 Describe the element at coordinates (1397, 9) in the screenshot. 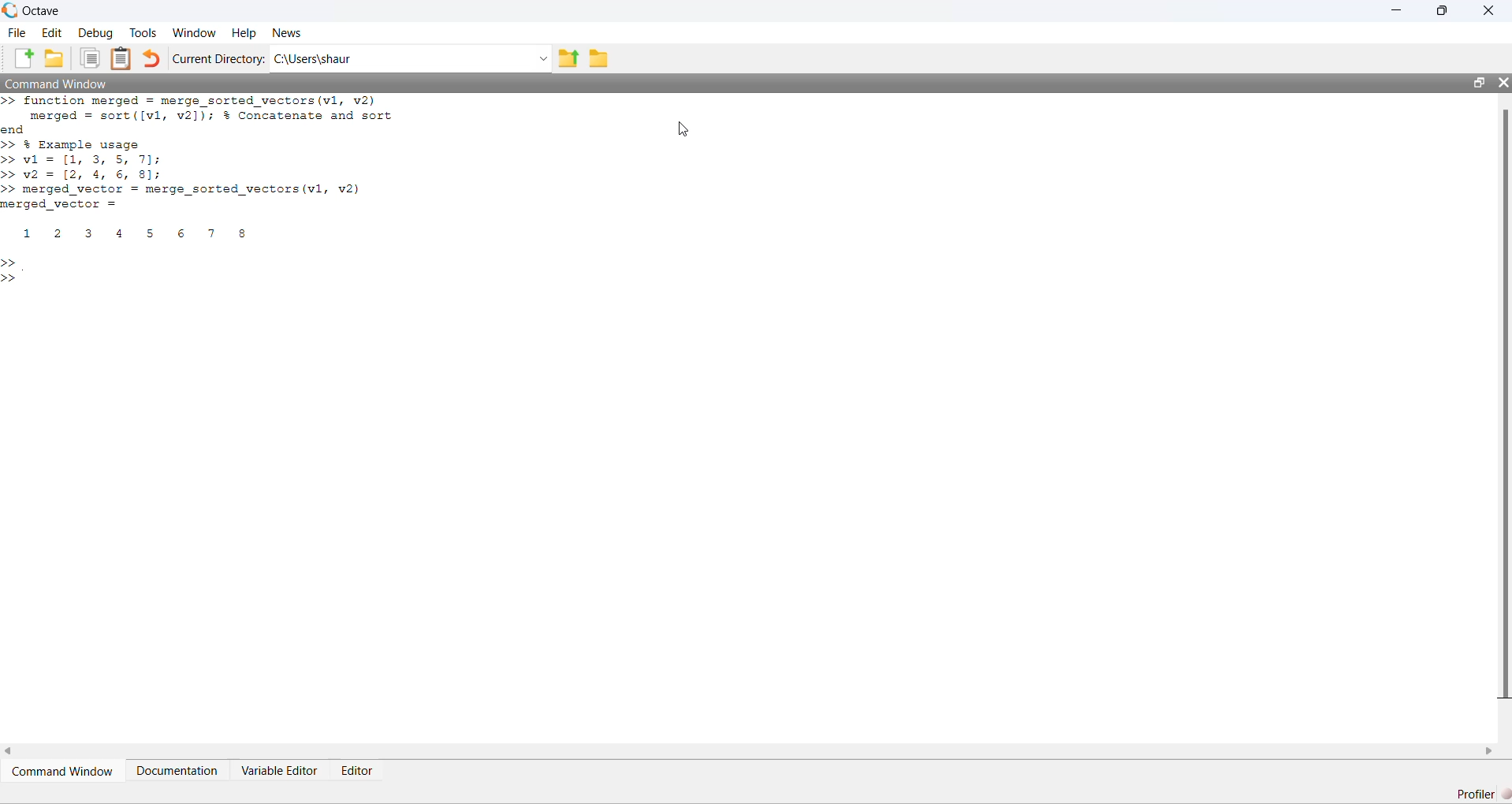

I see `minimise` at that location.